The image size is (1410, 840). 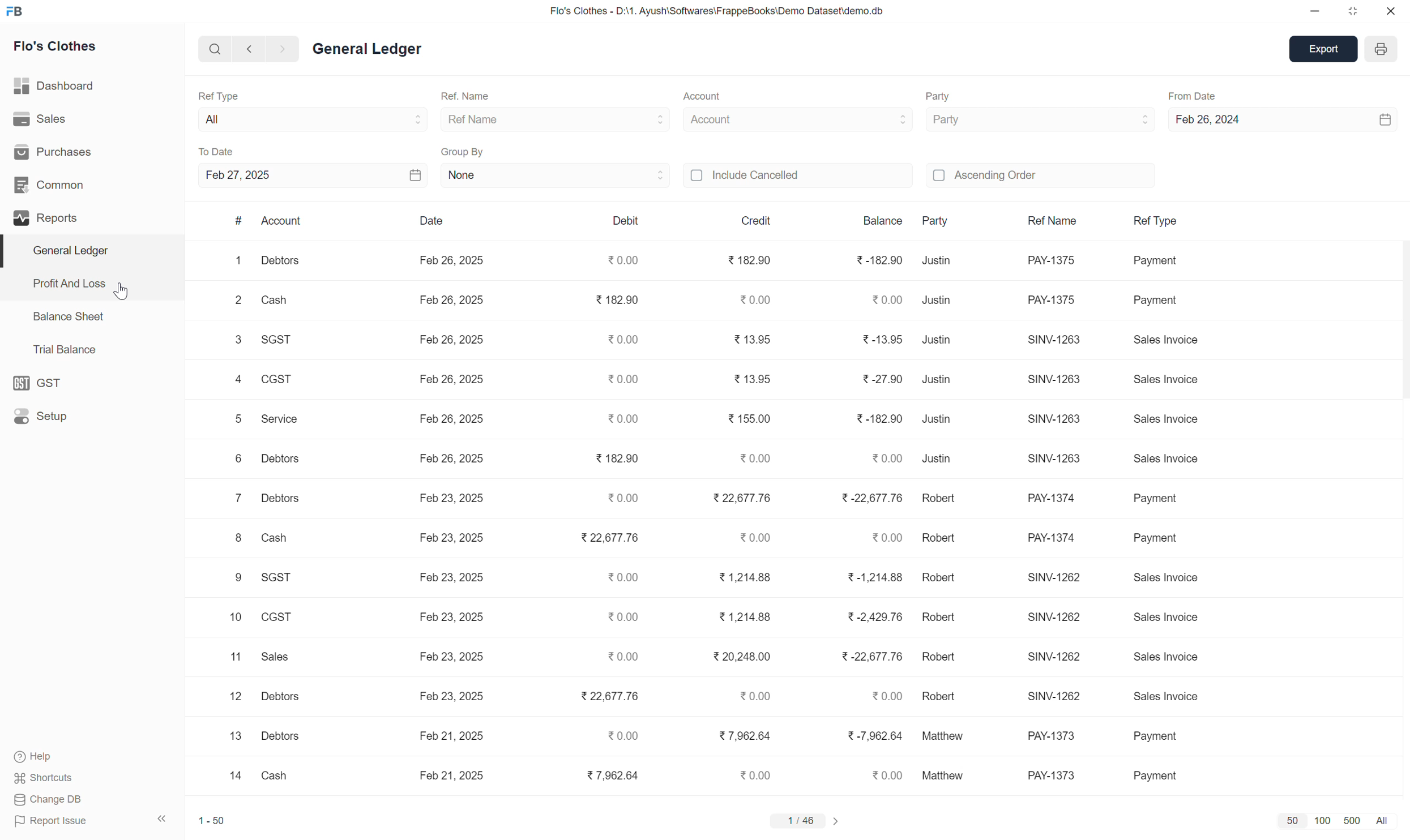 I want to click on #, so click(x=236, y=222).